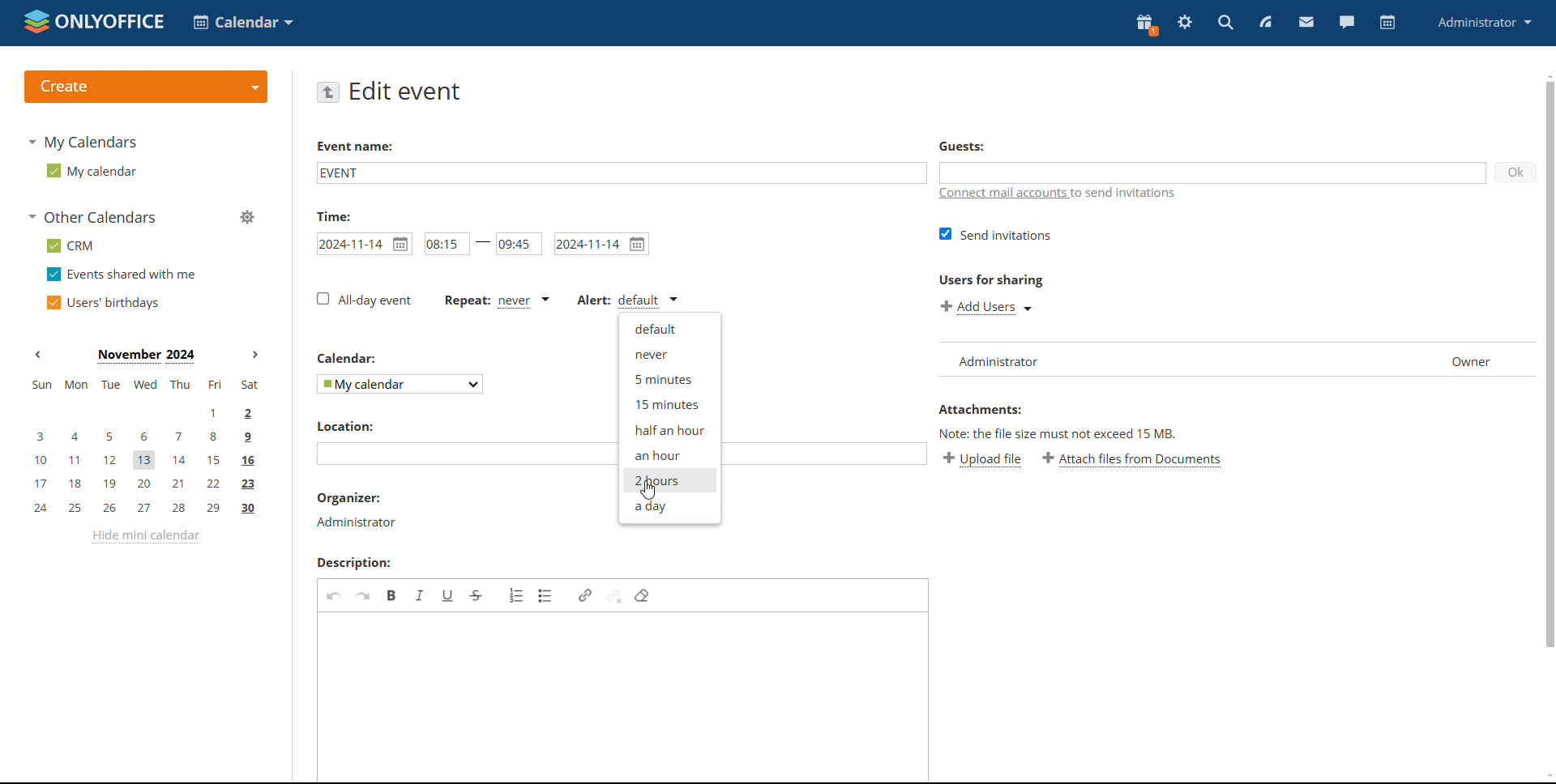 This screenshot has width=1556, height=784. What do you see at coordinates (971, 149) in the screenshot?
I see `guest label` at bounding box center [971, 149].